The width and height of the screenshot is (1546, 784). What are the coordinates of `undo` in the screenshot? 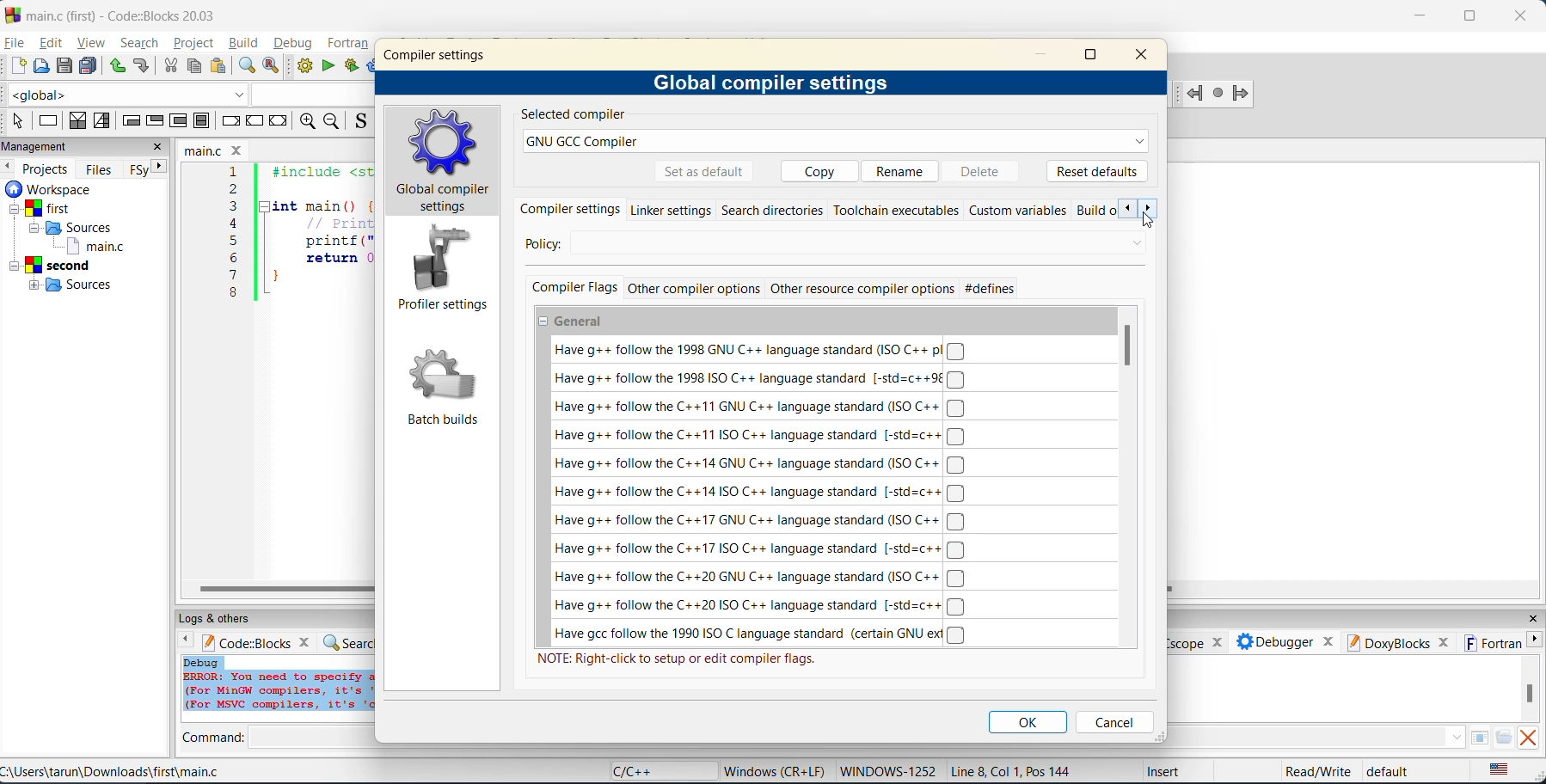 It's located at (117, 67).